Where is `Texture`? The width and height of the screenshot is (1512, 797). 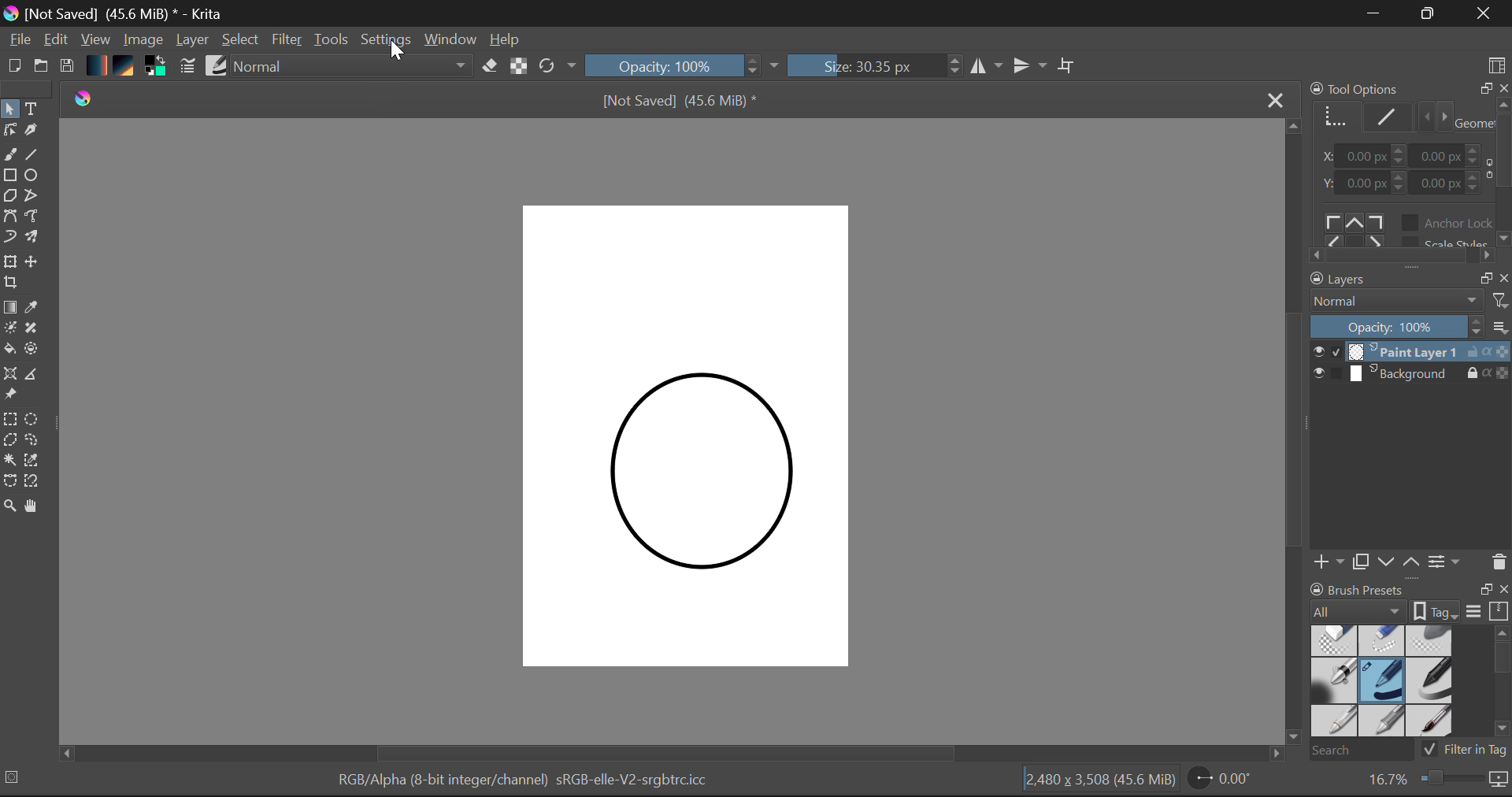 Texture is located at coordinates (128, 68).